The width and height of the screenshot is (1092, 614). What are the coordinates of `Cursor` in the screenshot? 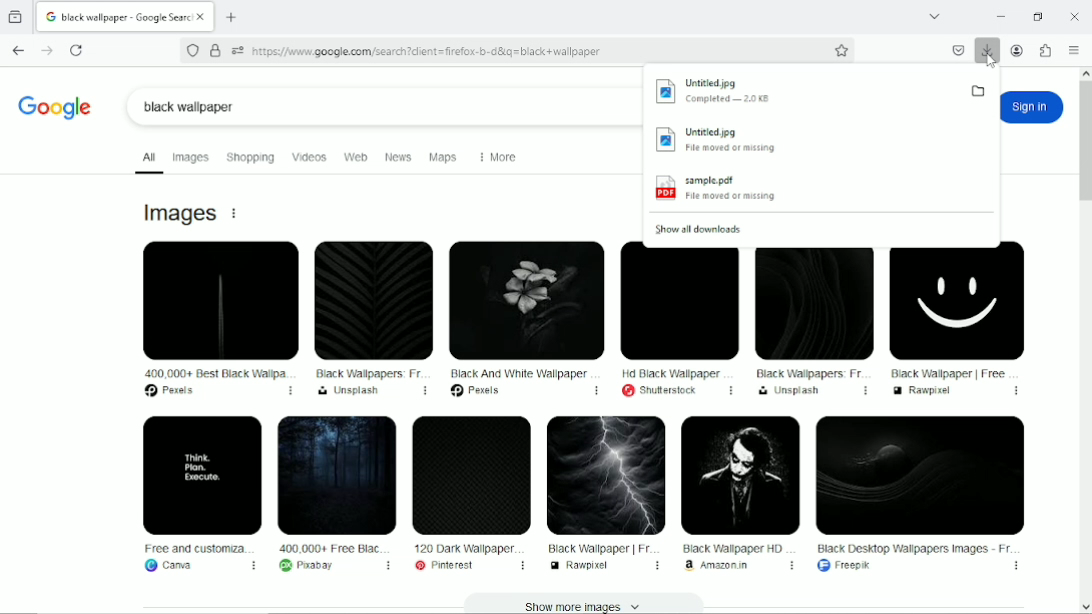 It's located at (990, 64).